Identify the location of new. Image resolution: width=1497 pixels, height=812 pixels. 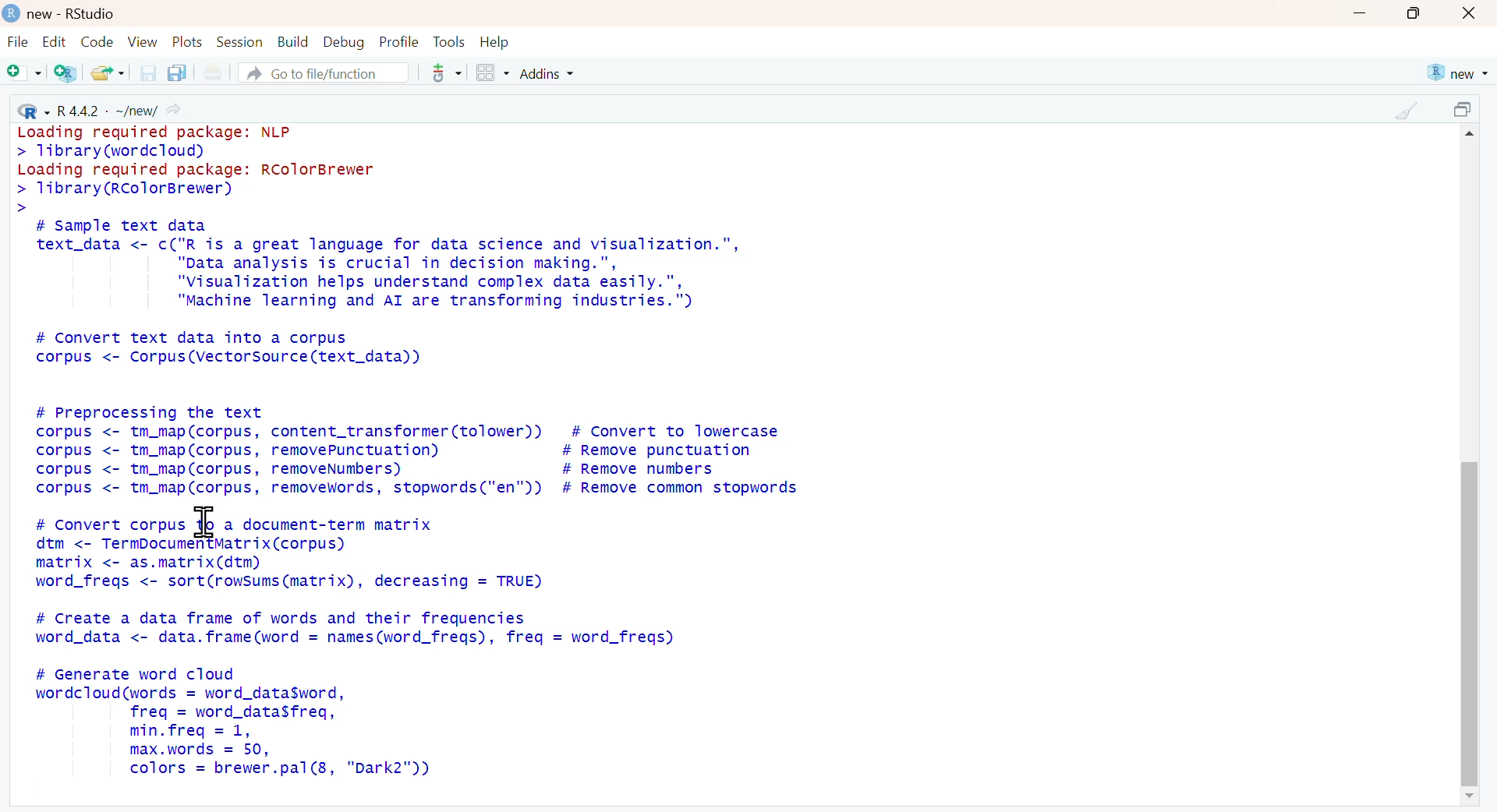
(1456, 72).